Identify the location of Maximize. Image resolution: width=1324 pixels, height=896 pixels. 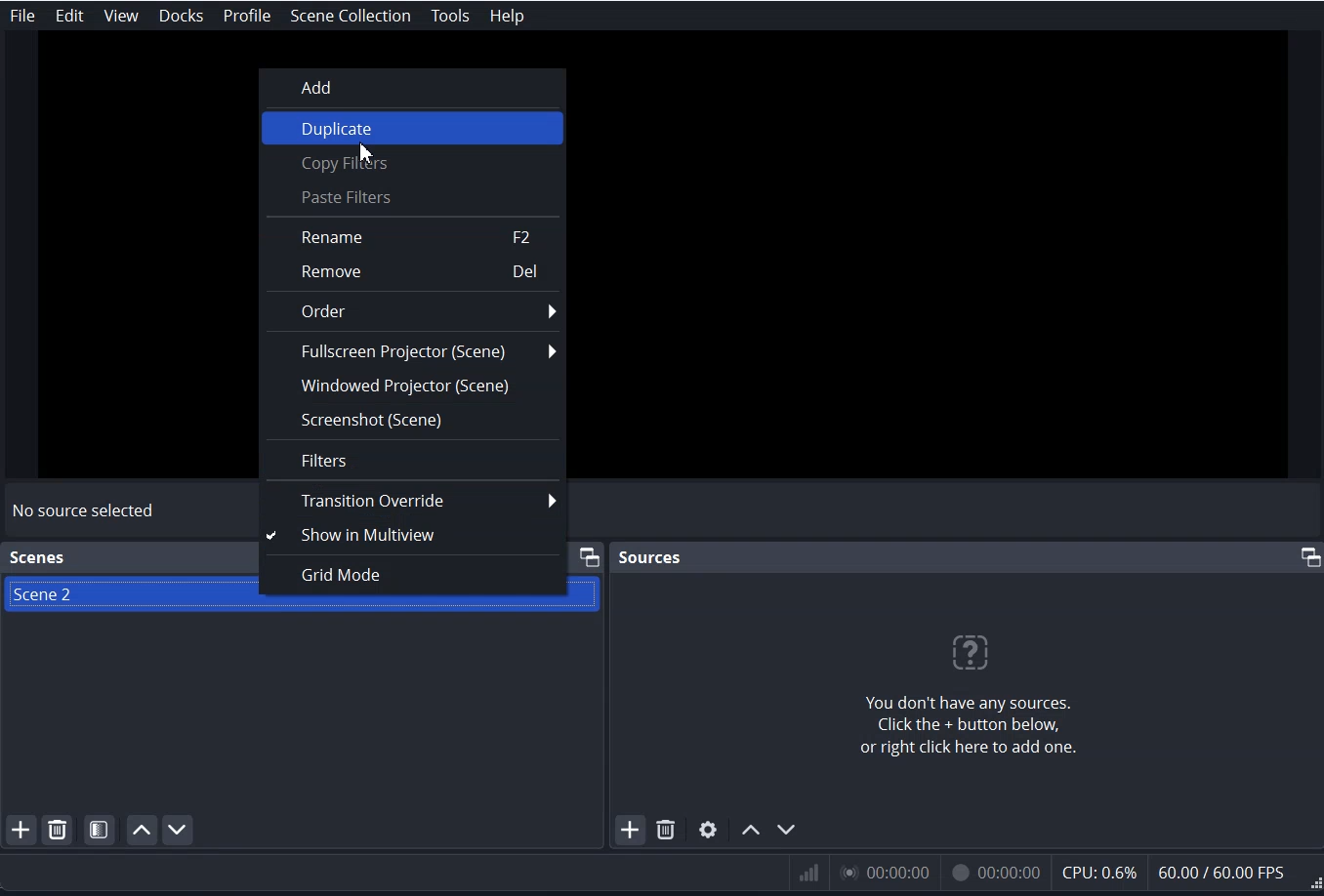
(1309, 557).